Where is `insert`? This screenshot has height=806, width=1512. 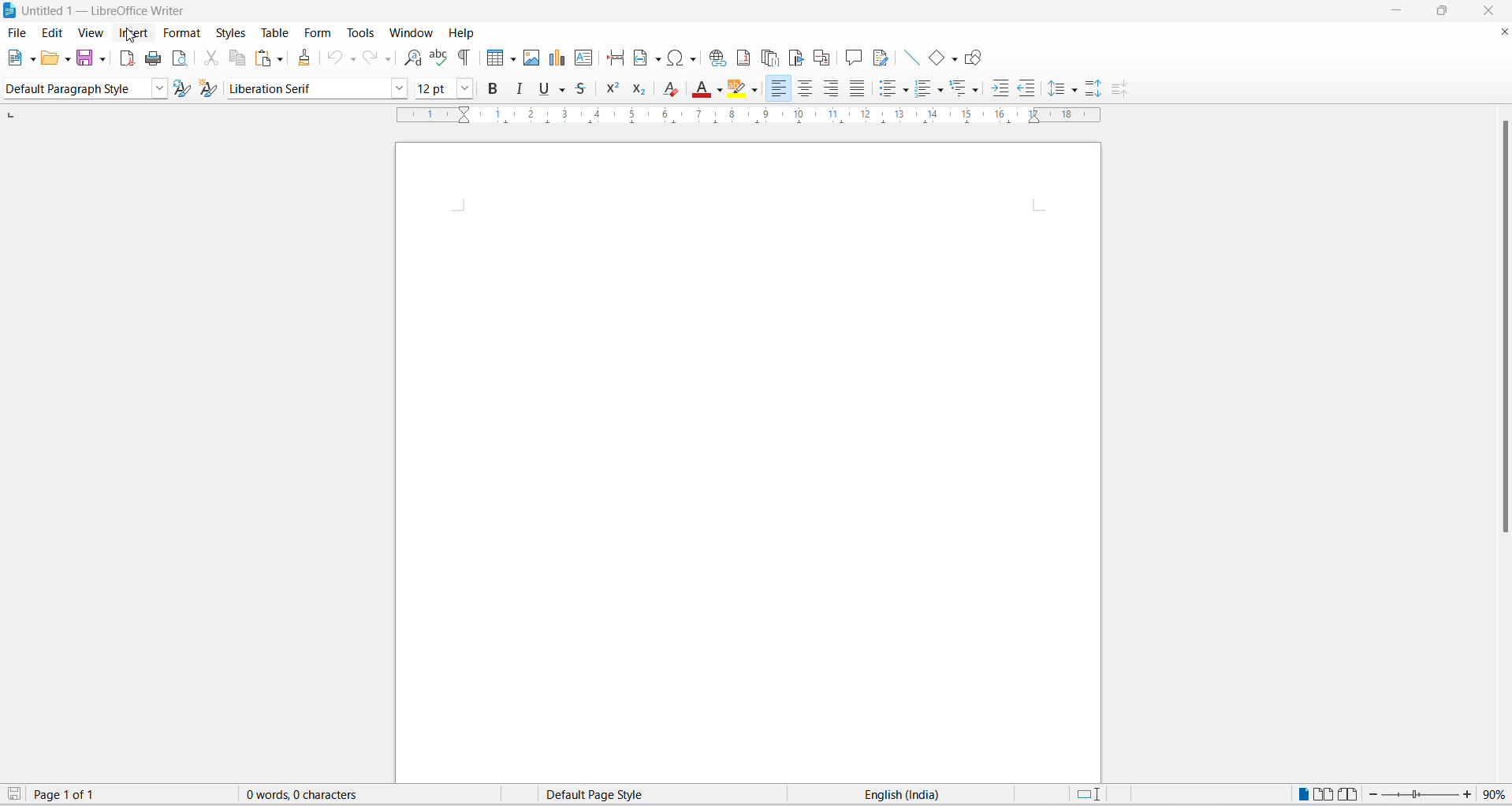
insert is located at coordinates (134, 32).